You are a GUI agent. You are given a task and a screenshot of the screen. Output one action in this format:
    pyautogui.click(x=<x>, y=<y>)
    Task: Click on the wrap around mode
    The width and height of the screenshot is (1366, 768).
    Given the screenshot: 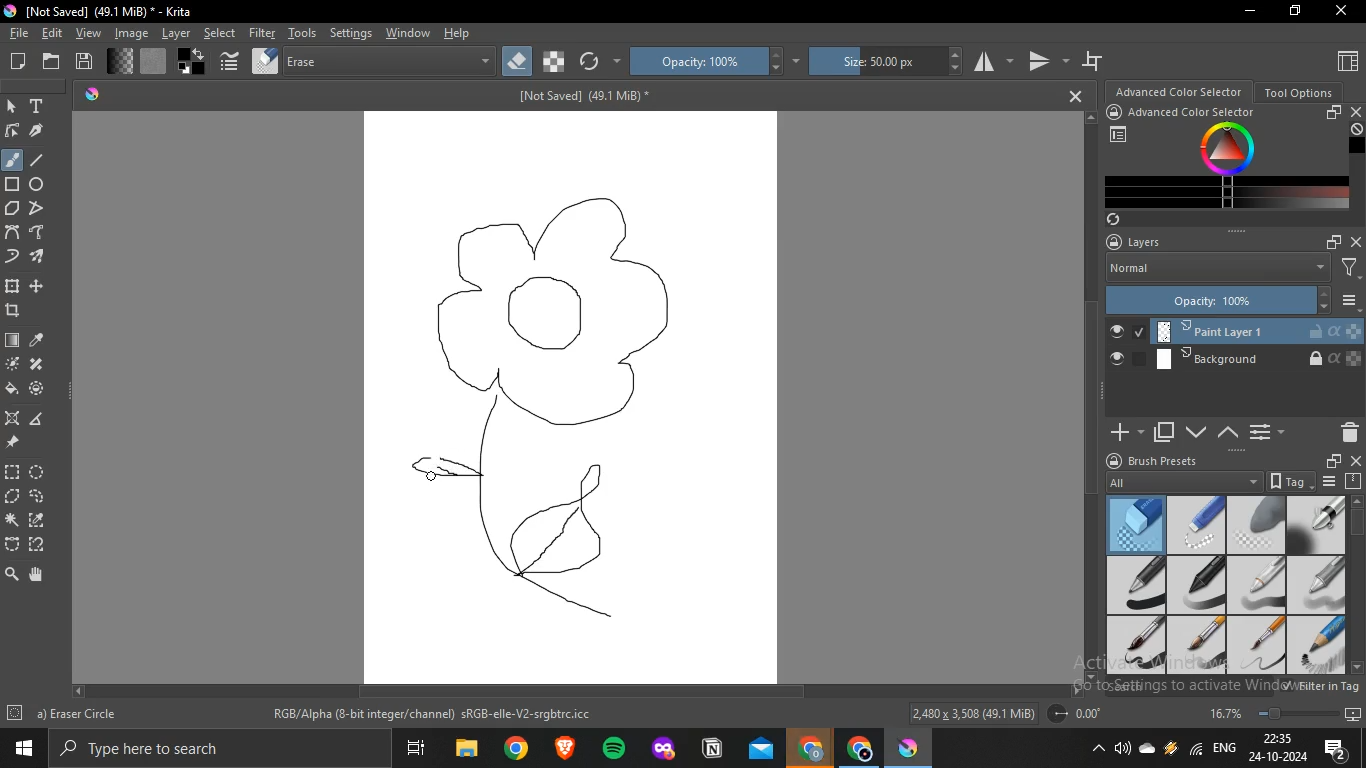 What is the action you would take?
    pyautogui.click(x=1095, y=60)
    